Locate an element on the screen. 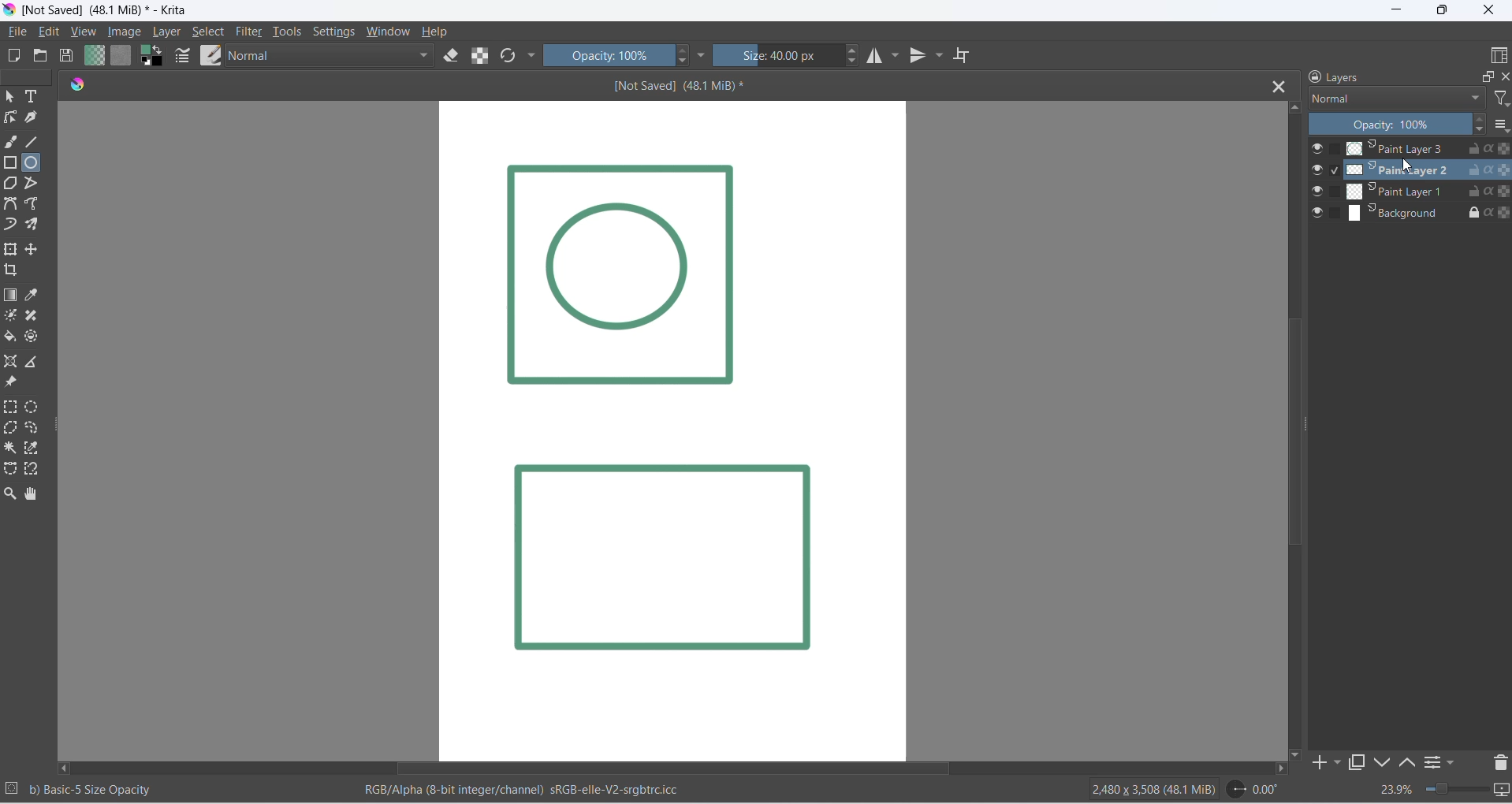  fill color is located at coordinates (13, 338).